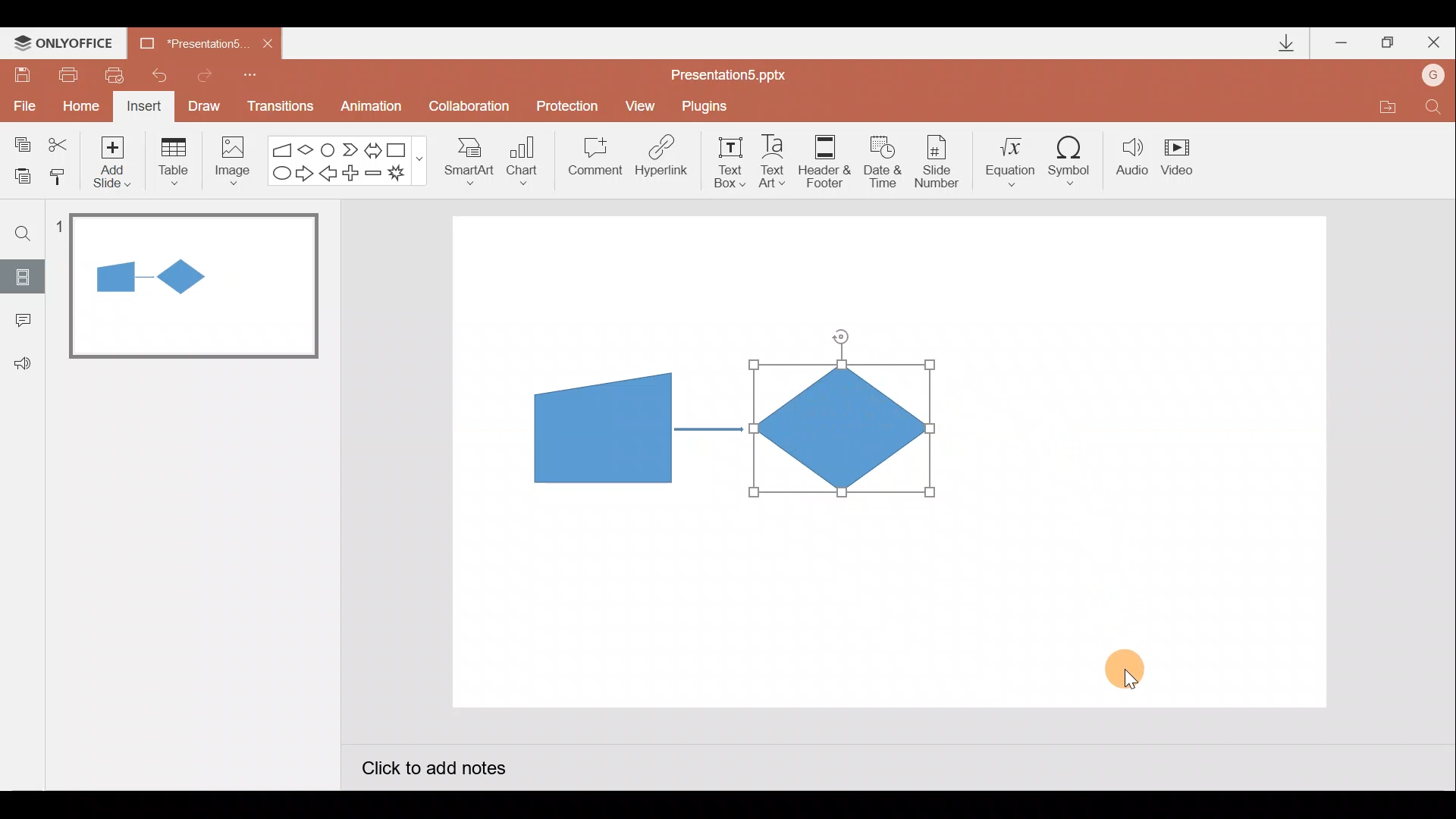 This screenshot has width=1456, height=819. What do you see at coordinates (1343, 44) in the screenshot?
I see `Minimize` at bounding box center [1343, 44].